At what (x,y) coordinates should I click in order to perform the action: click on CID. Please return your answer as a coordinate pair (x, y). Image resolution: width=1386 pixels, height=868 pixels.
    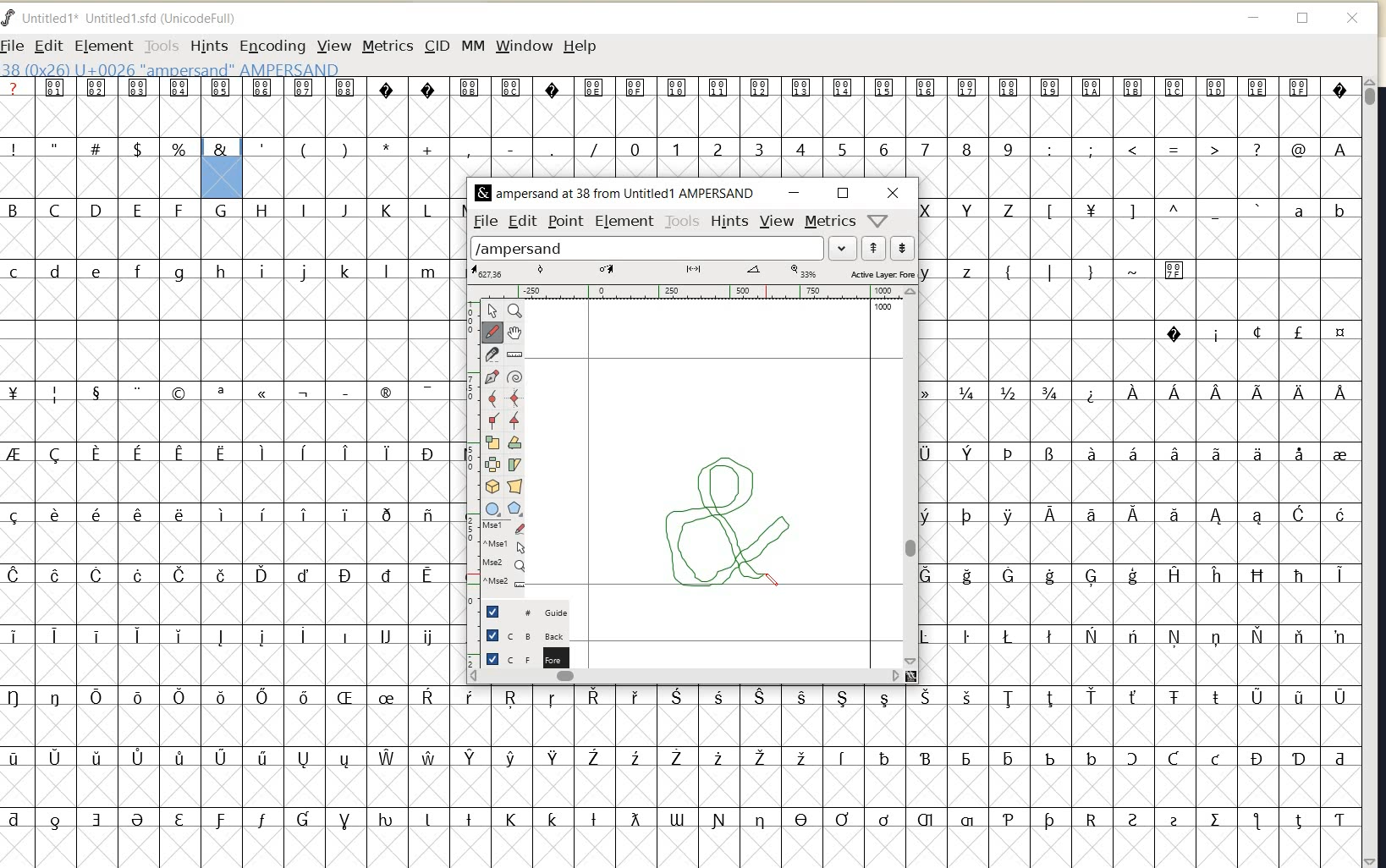
    Looking at the image, I should click on (435, 45).